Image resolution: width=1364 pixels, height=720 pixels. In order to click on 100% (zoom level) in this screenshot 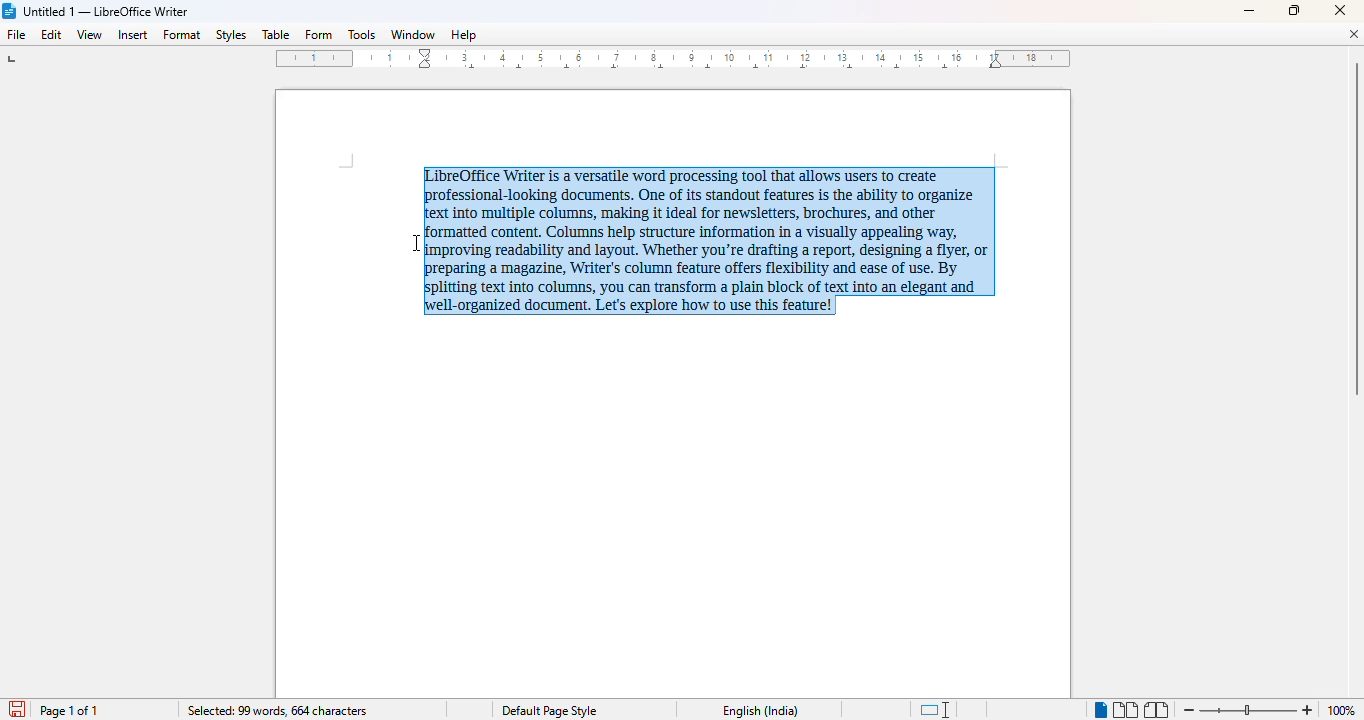, I will do `click(1344, 710)`.